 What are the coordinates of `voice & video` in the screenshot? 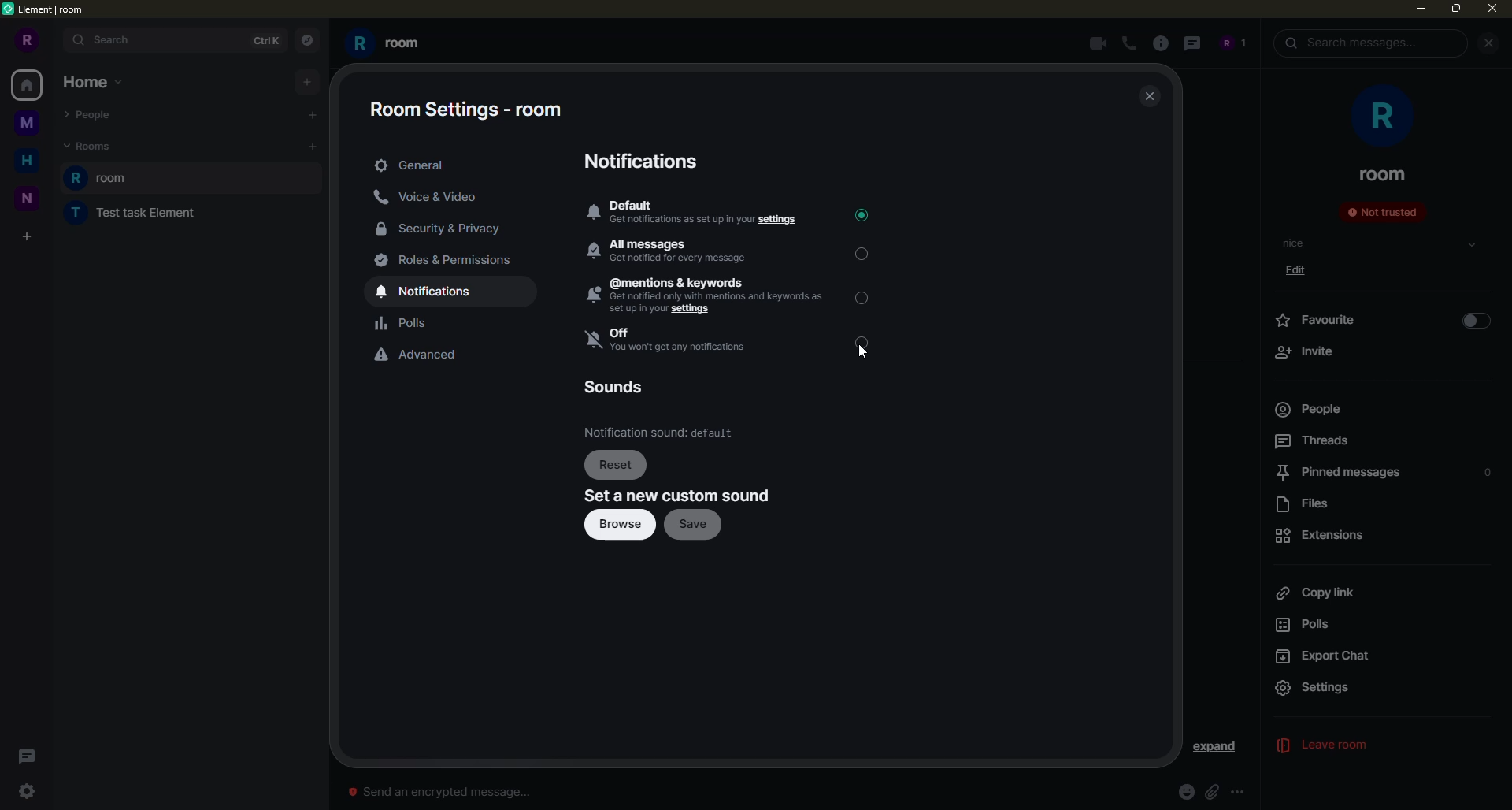 It's located at (425, 197).